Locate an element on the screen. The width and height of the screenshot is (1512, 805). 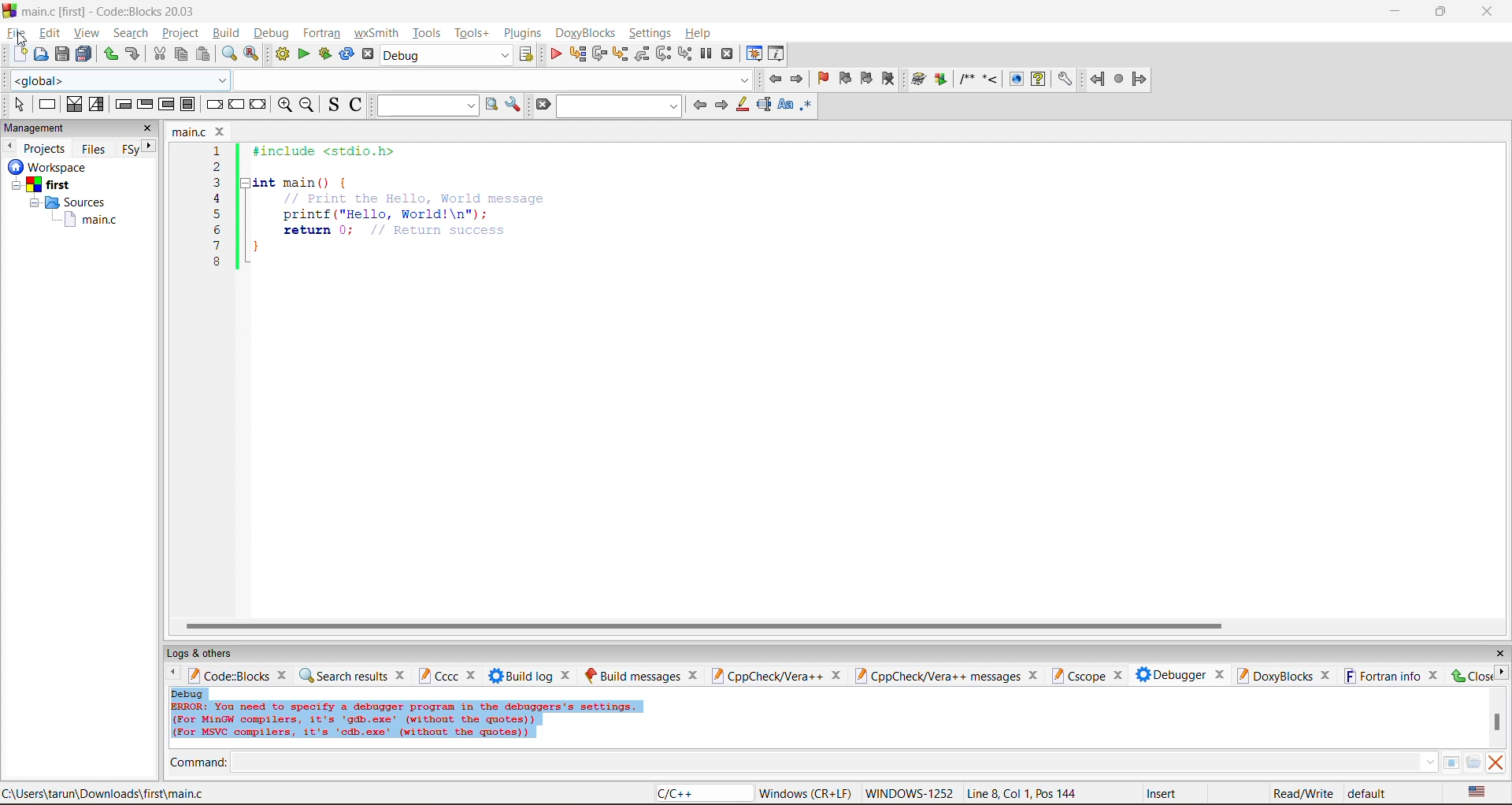
stop is located at coordinates (1120, 80).